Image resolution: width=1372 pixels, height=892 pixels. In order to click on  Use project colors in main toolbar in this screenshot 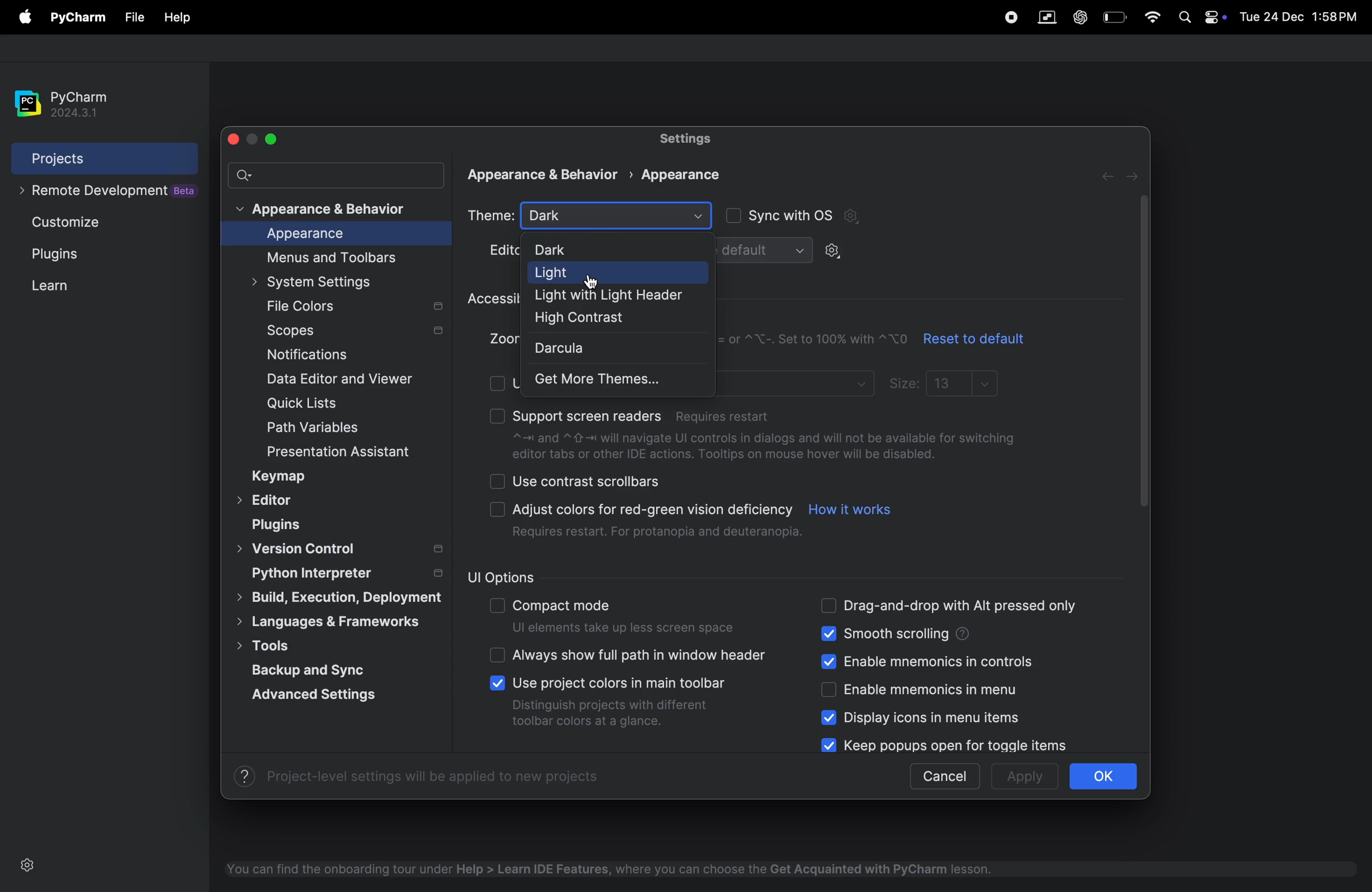, I will do `click(628, 682)`.